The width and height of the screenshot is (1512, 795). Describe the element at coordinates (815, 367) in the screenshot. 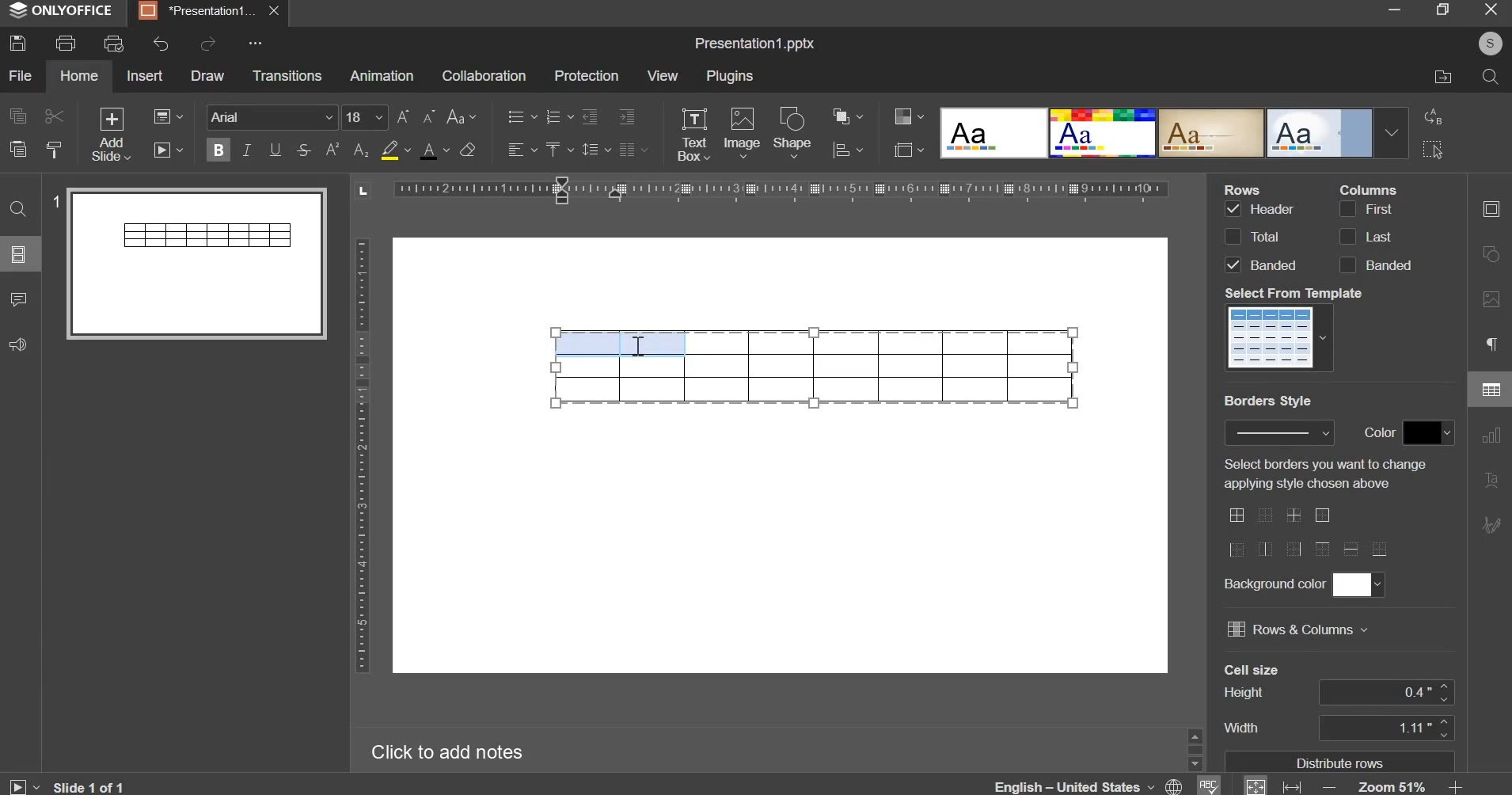

I see `table` at that location.